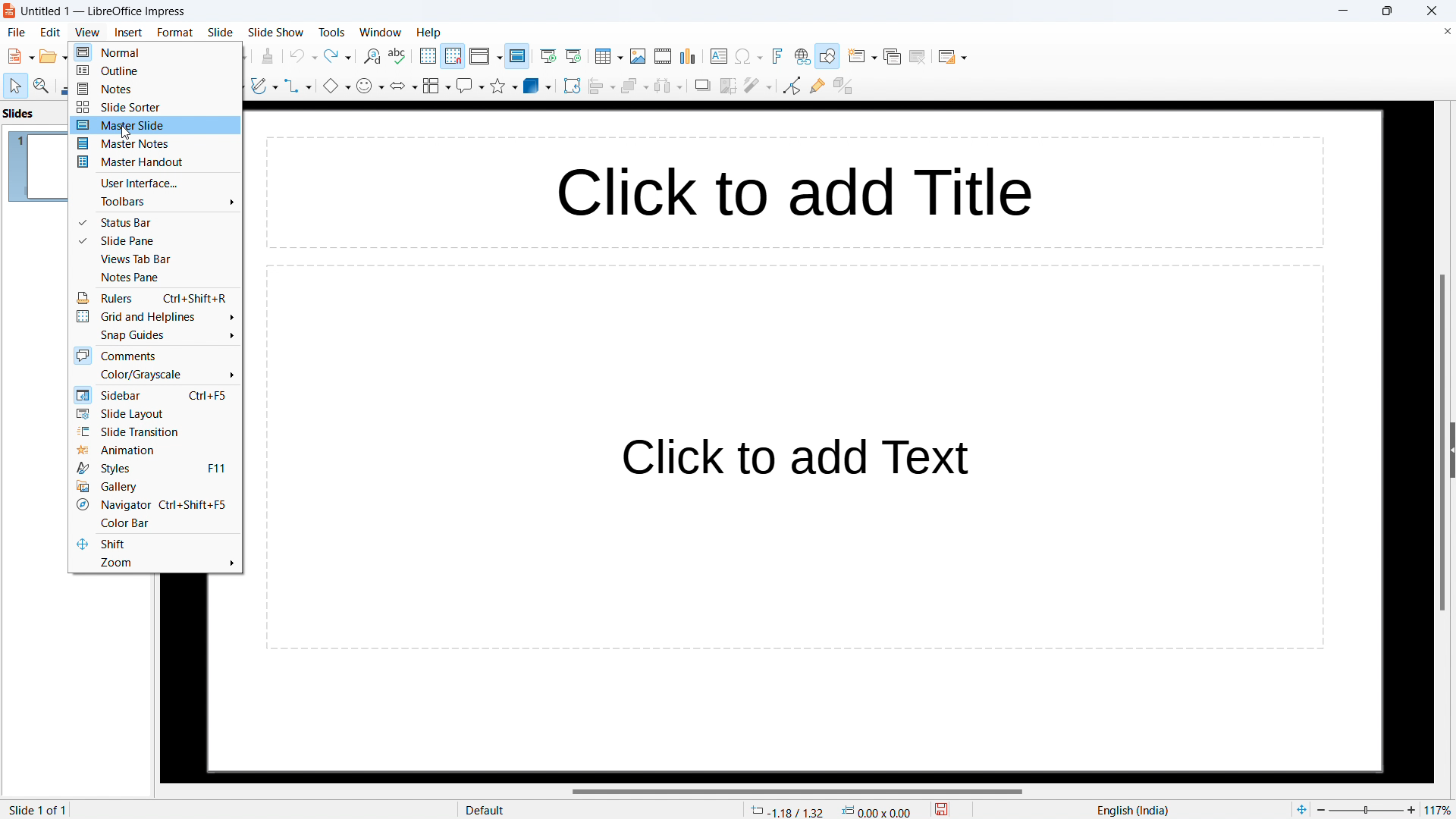 The height and width of the screenshot is (819, 1456). I want to click on insert image, so click(639, 56).